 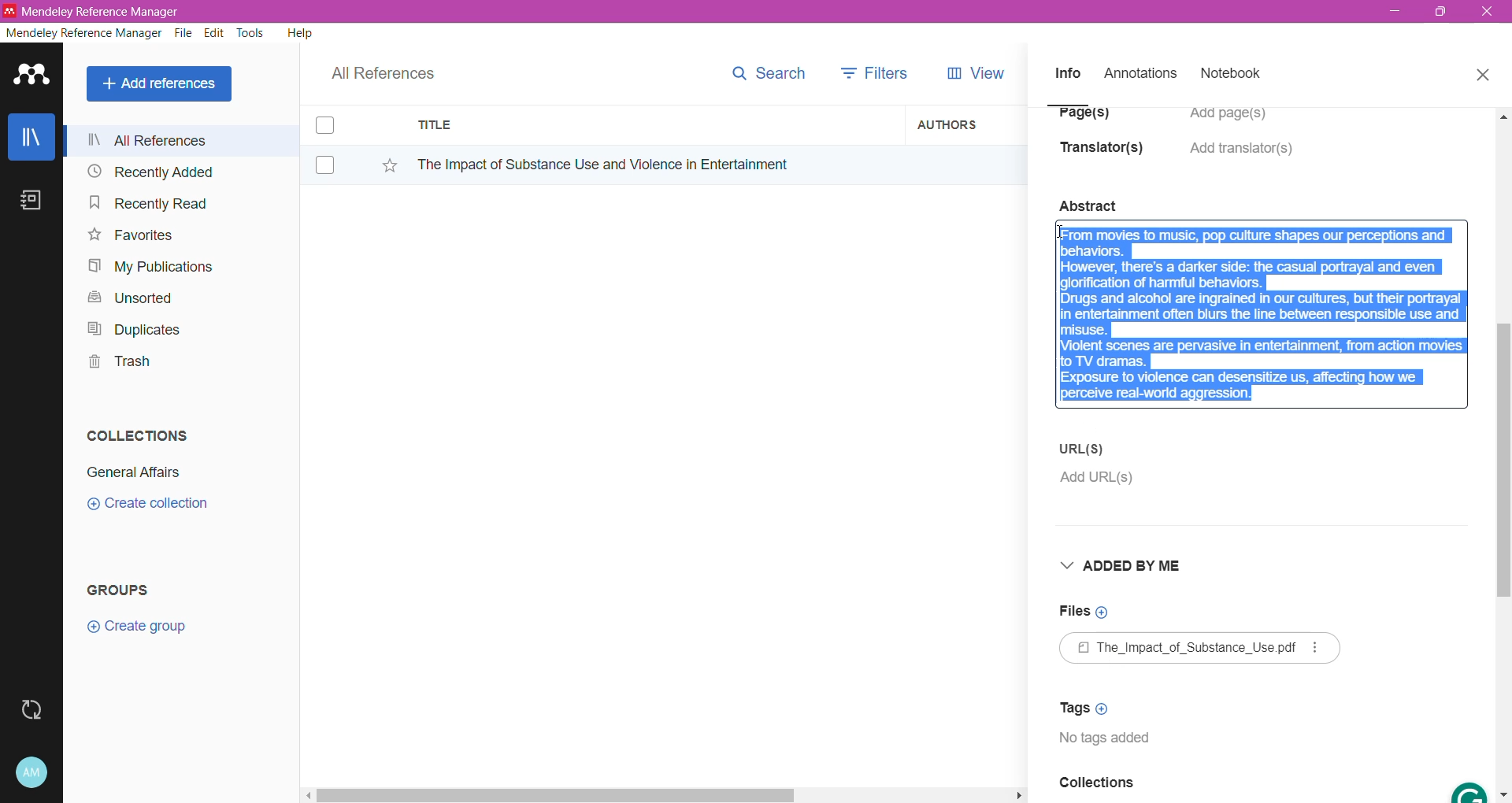 What do you see at coordinates (148, 172) in the screenshot?
I see `Recently Added` at bounding box center [148, 172].